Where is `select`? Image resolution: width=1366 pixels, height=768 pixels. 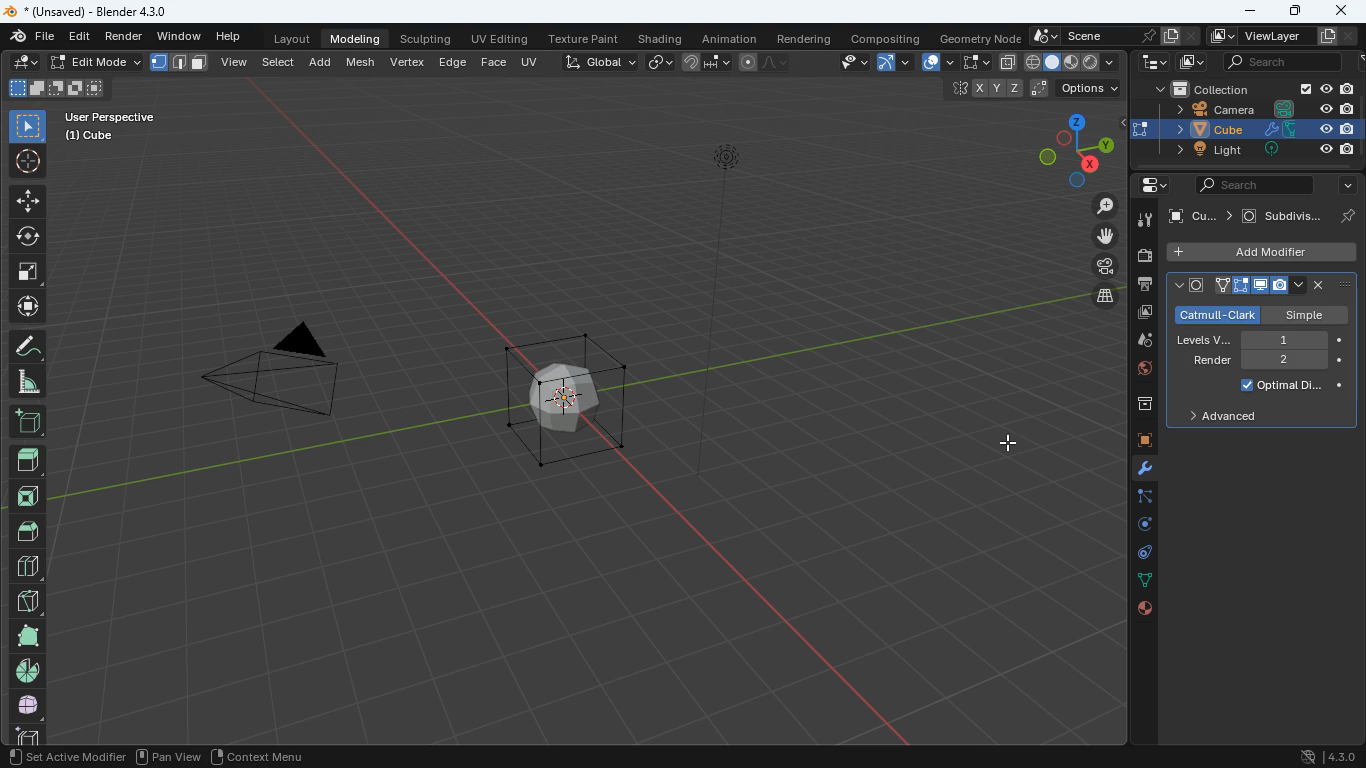 select is located at coordinates (28, 127).